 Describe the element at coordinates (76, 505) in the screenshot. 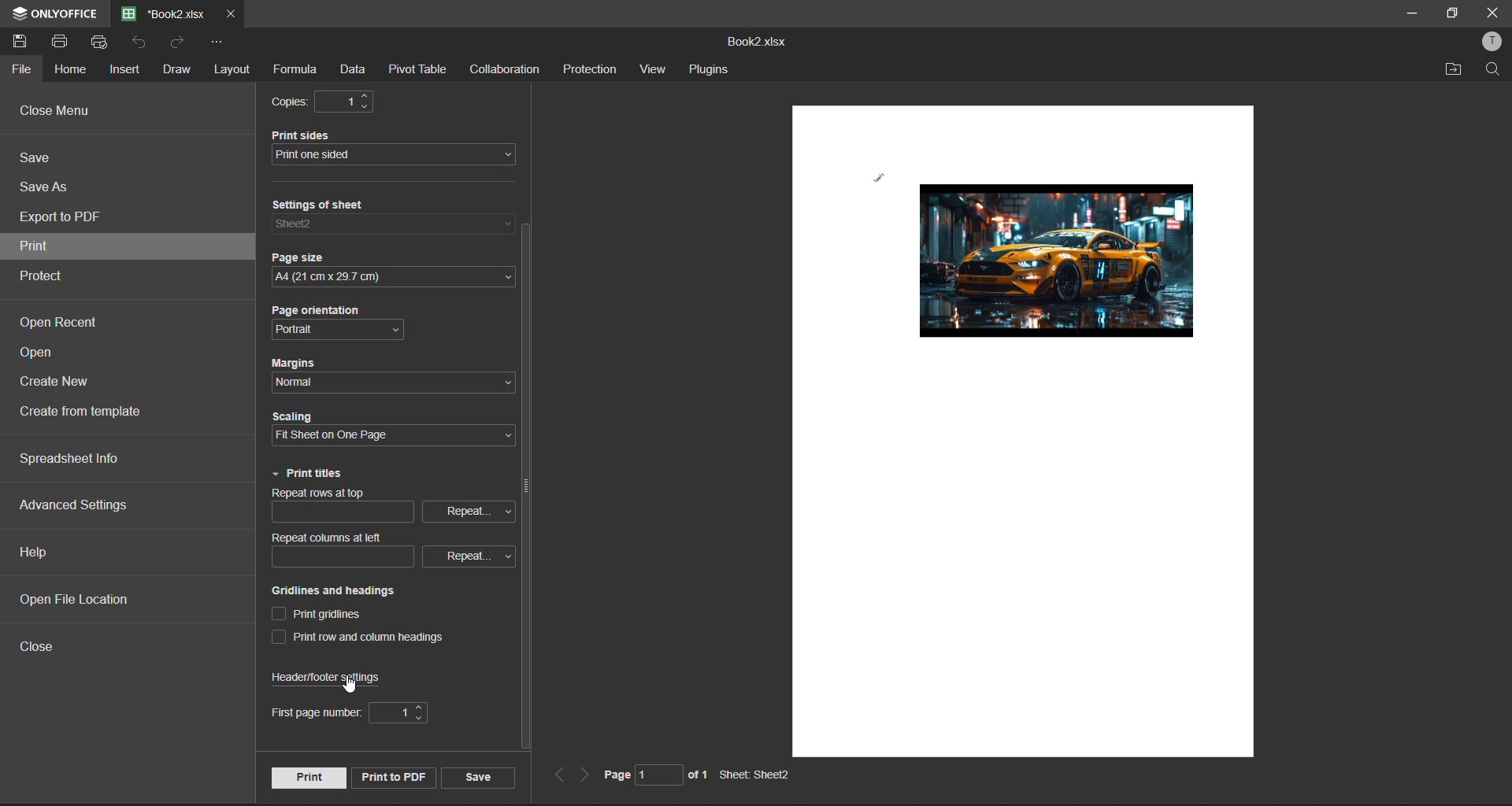

I see `advanced settings` at that location.